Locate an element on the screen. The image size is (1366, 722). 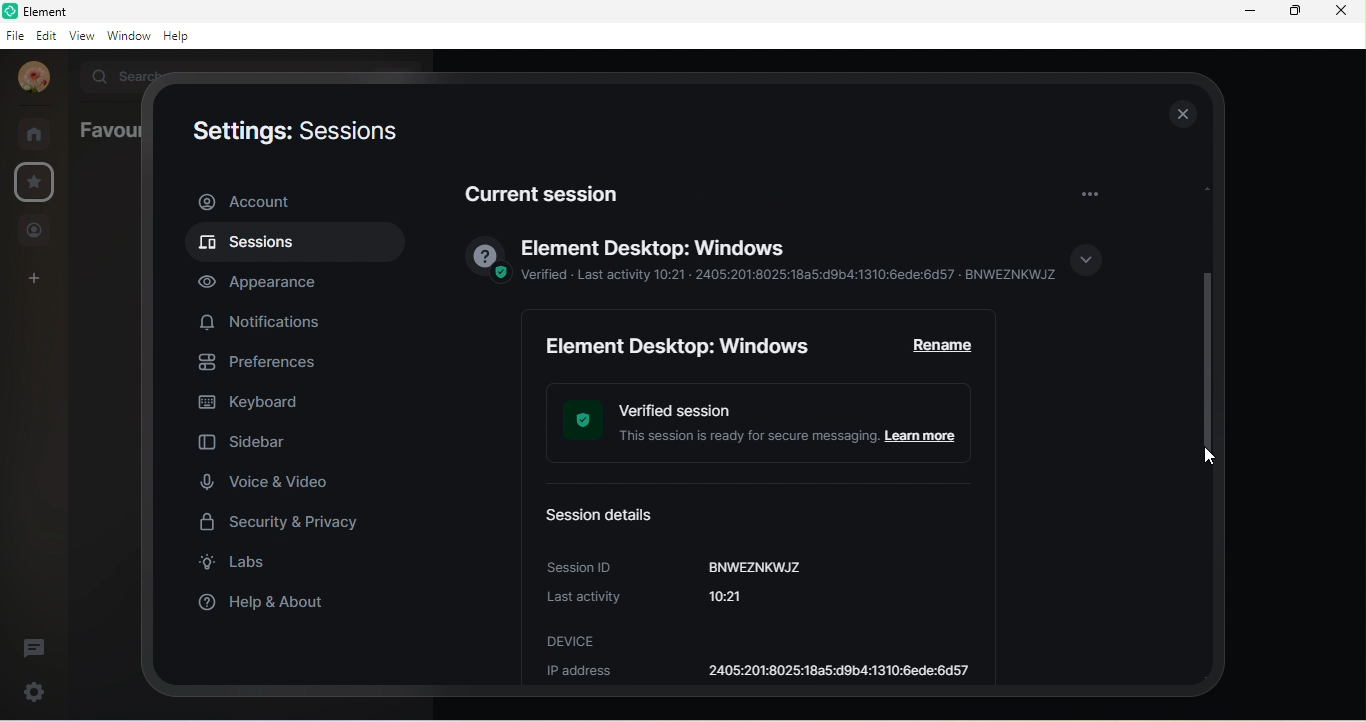
notification is located at coordinates (265, 320).